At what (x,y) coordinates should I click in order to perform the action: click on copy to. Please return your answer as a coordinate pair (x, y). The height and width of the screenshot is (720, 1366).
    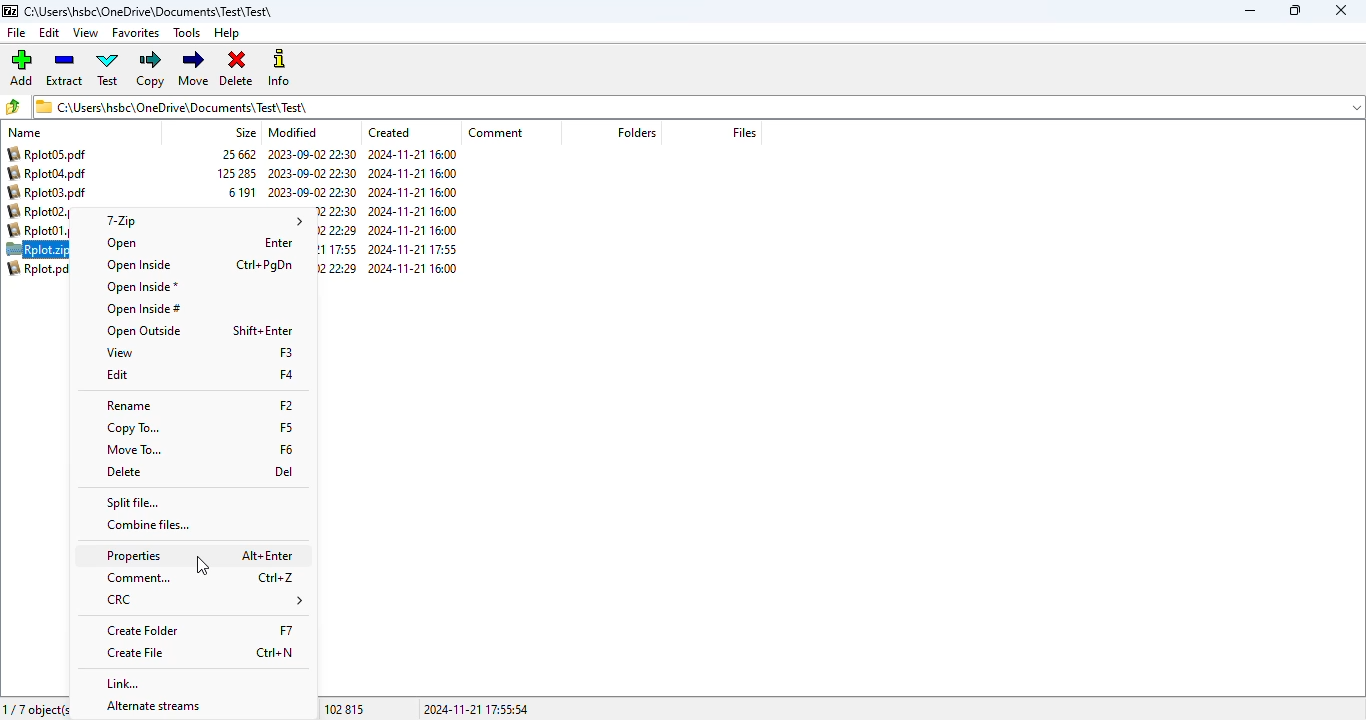
    Looking at the image, I should click on (135, 428).